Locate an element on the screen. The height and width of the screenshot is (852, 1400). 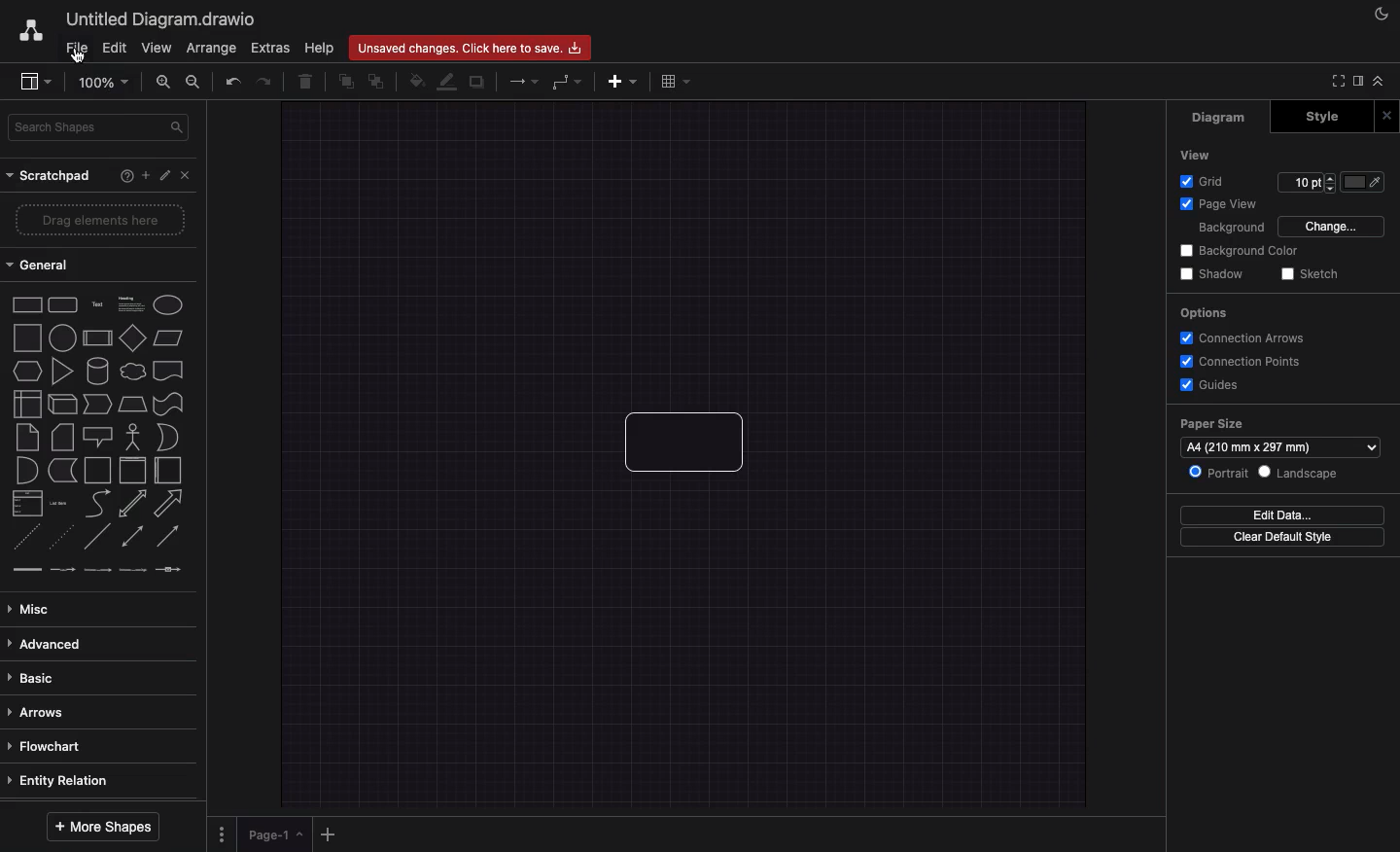
Shape is located at coordinates (682, 444).